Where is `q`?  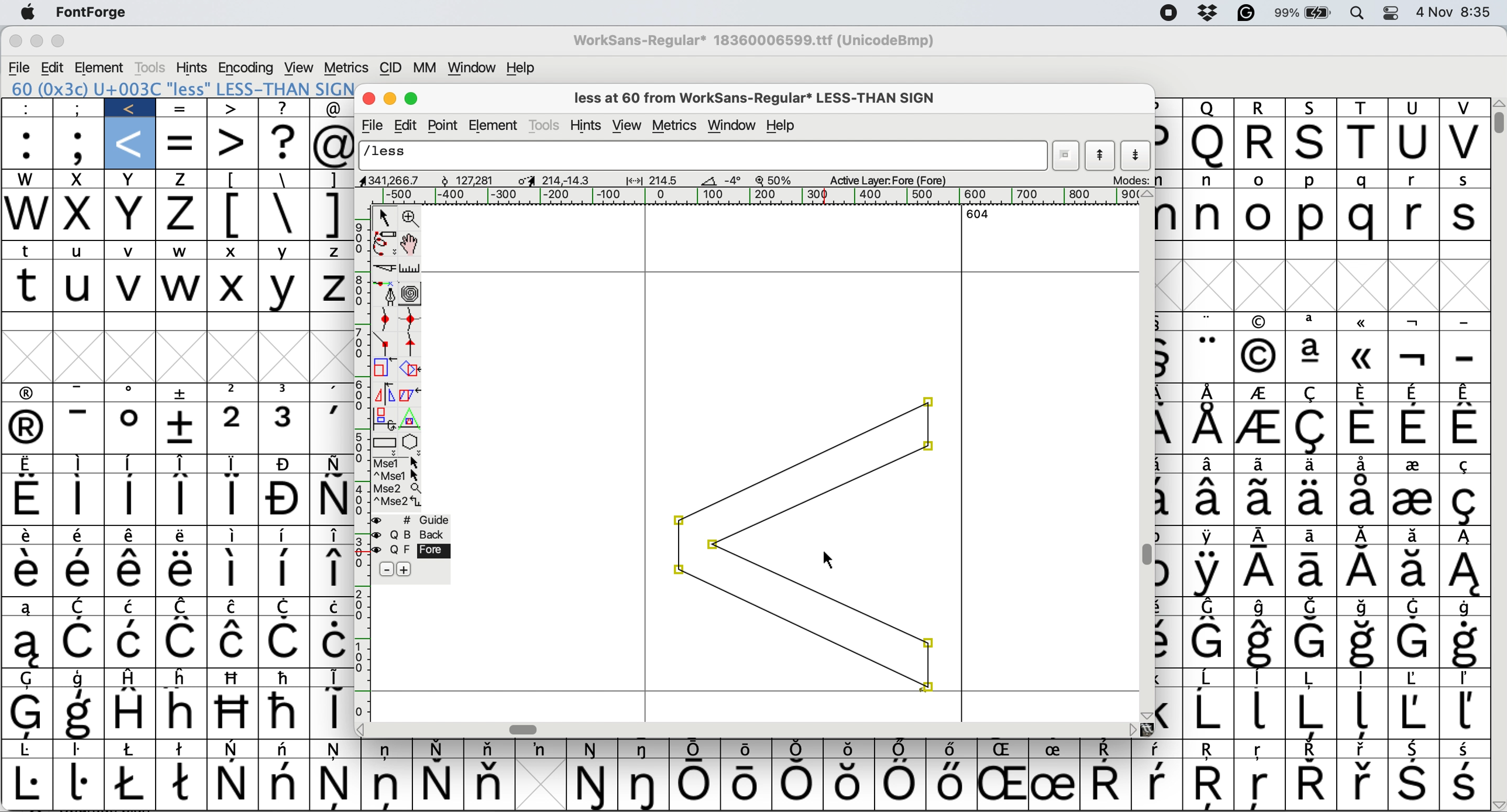 q is located at coordinates (1363, 215).